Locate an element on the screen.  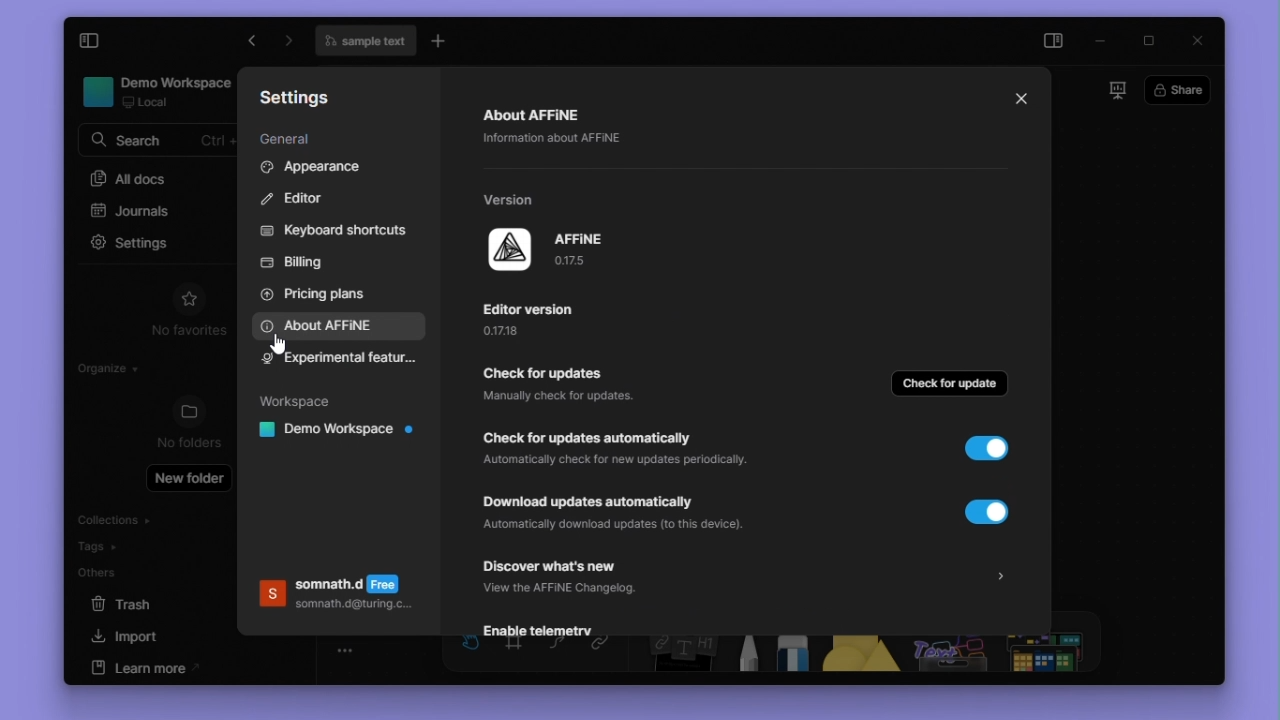
cursor is located at coordinates (274, 346).